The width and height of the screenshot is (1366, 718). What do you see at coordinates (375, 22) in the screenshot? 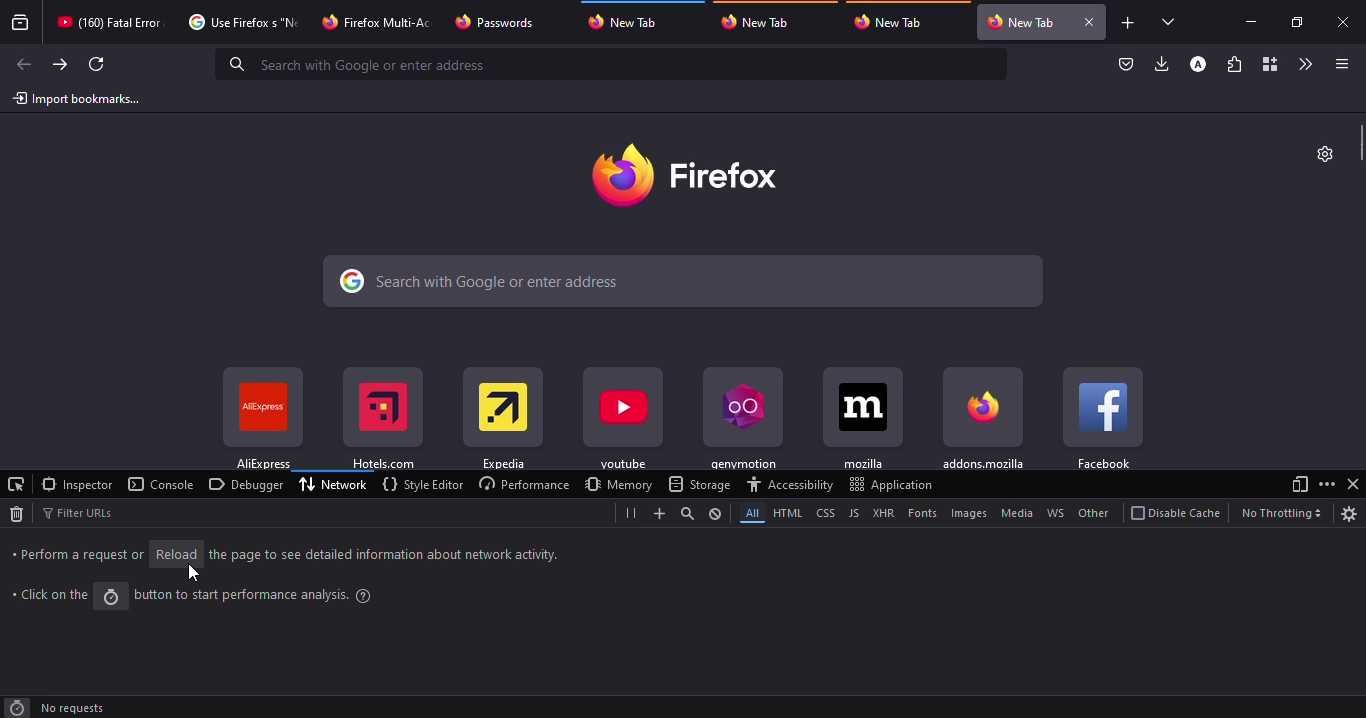
I see `tab` at bounding box center [375, 22].